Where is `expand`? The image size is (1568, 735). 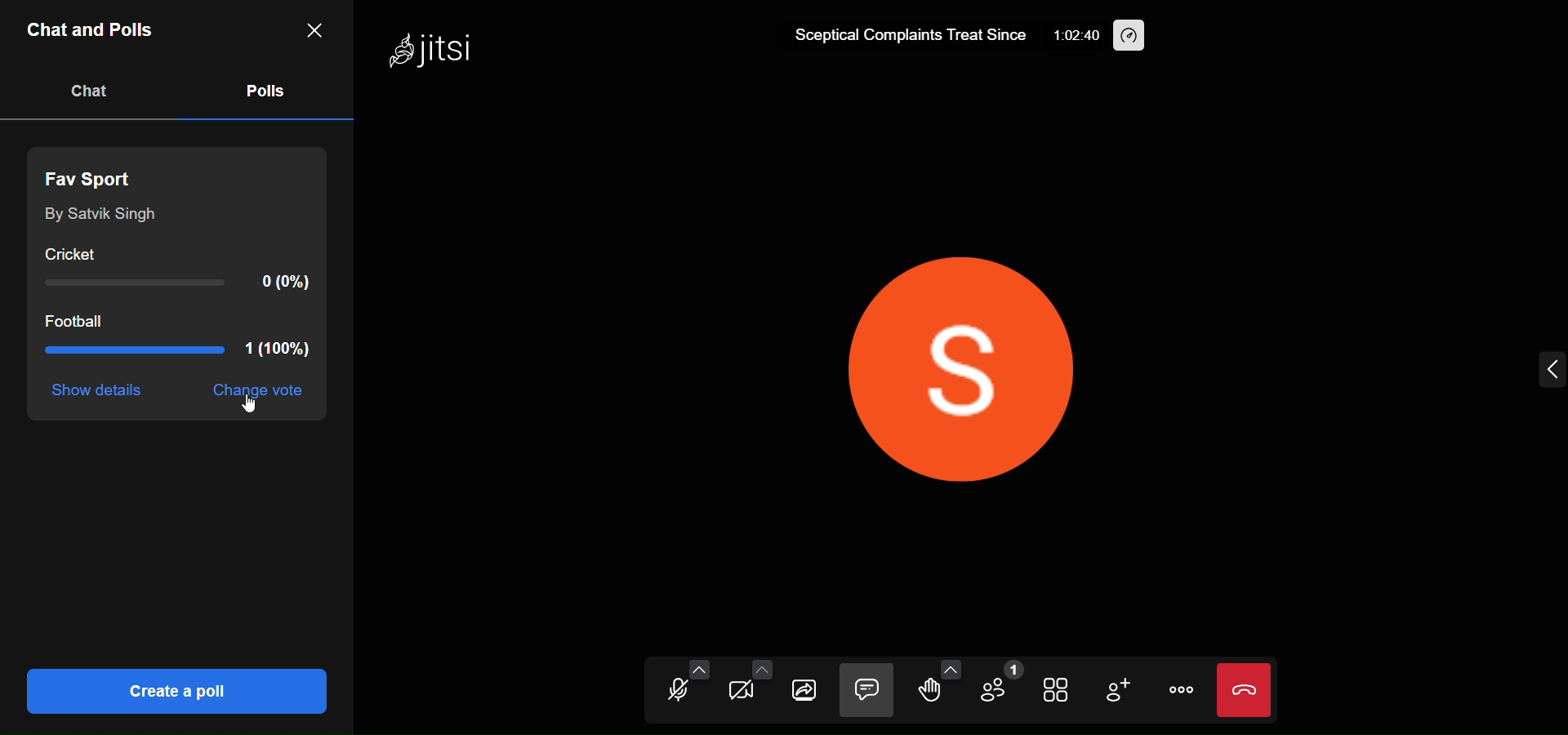
expand is located at coordinates (1550, 371).